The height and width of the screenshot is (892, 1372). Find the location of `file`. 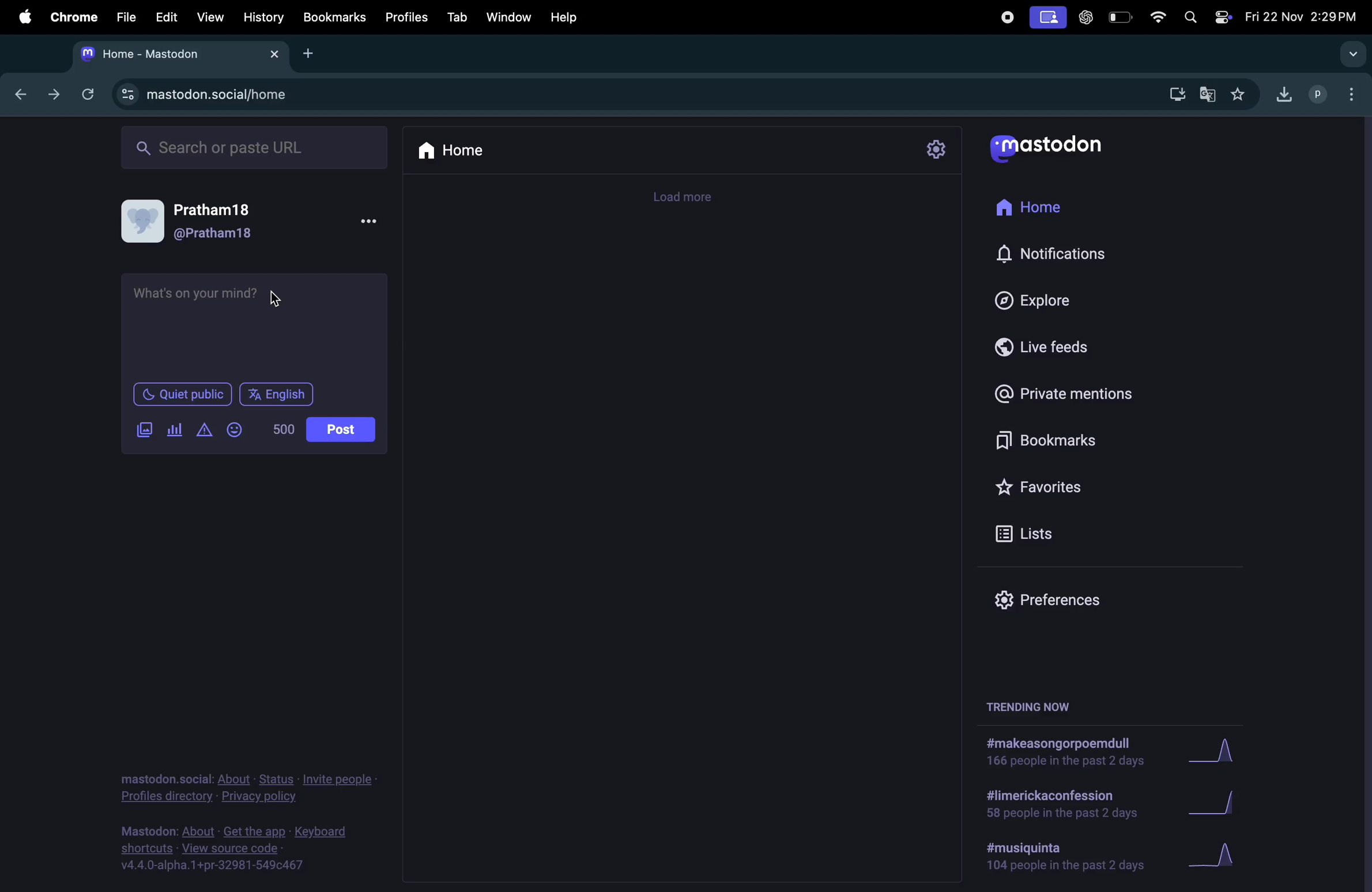

file is located at coordinates (125, 17).